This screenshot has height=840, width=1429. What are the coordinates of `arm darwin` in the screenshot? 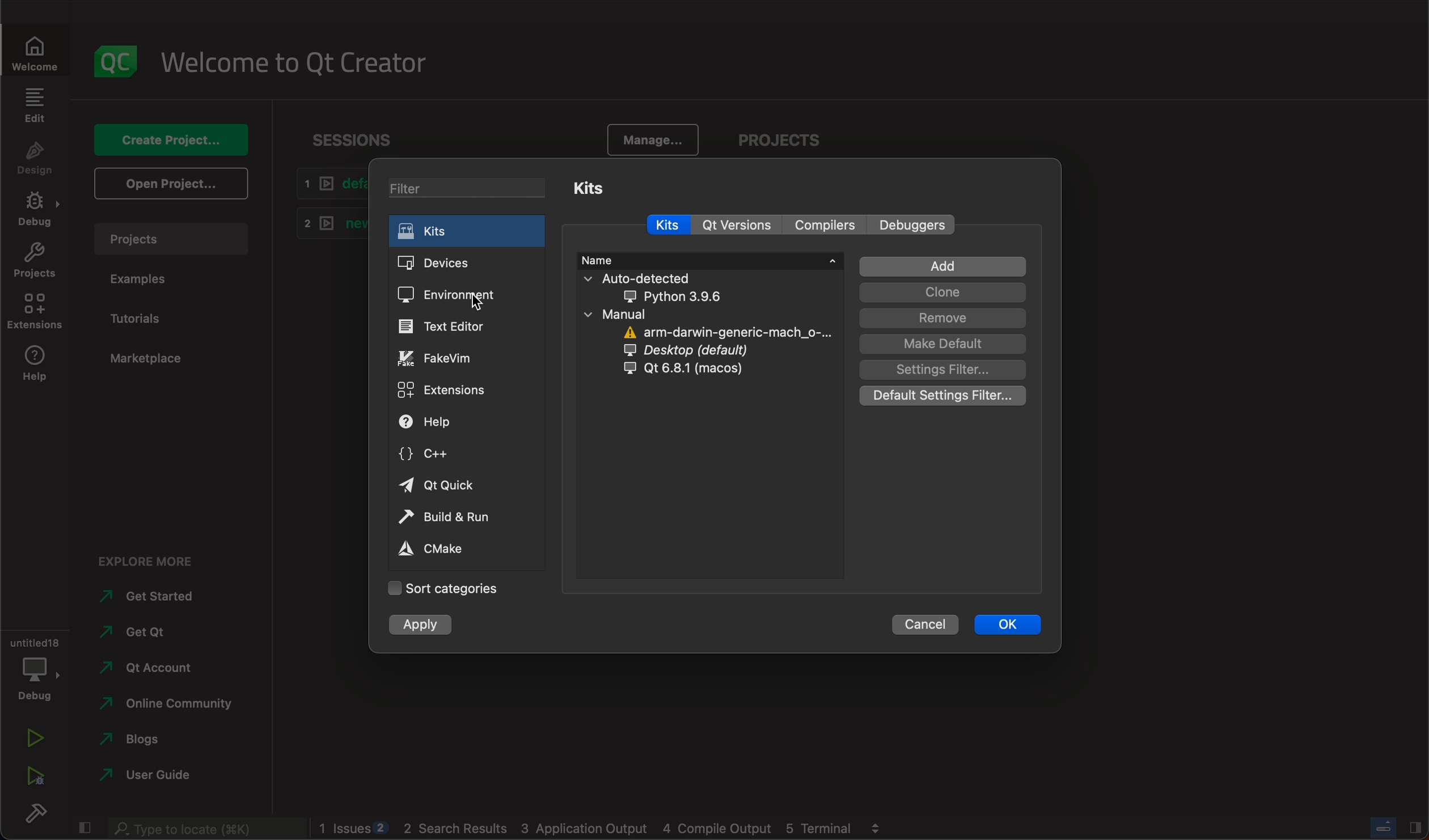 It's located at (726, 332).